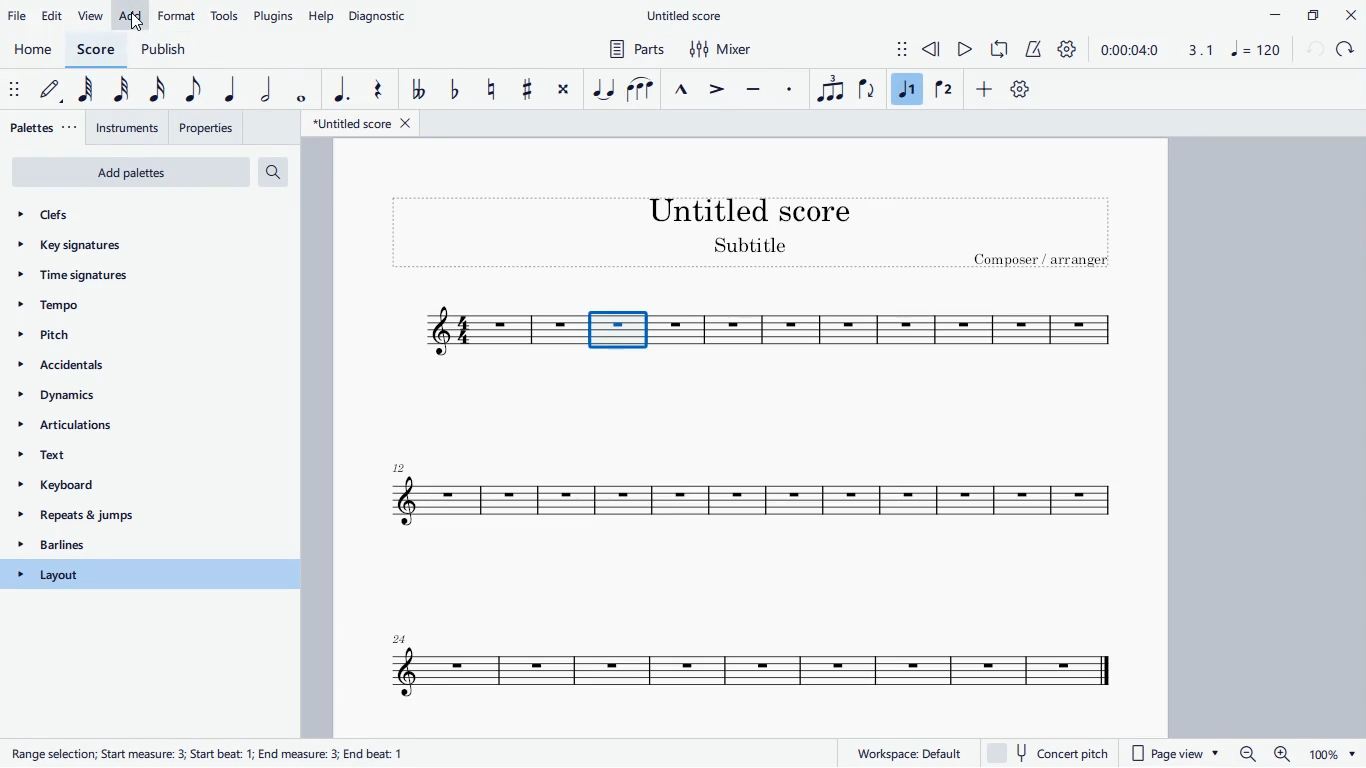  I want to click on 64th note, so click(91, 92).